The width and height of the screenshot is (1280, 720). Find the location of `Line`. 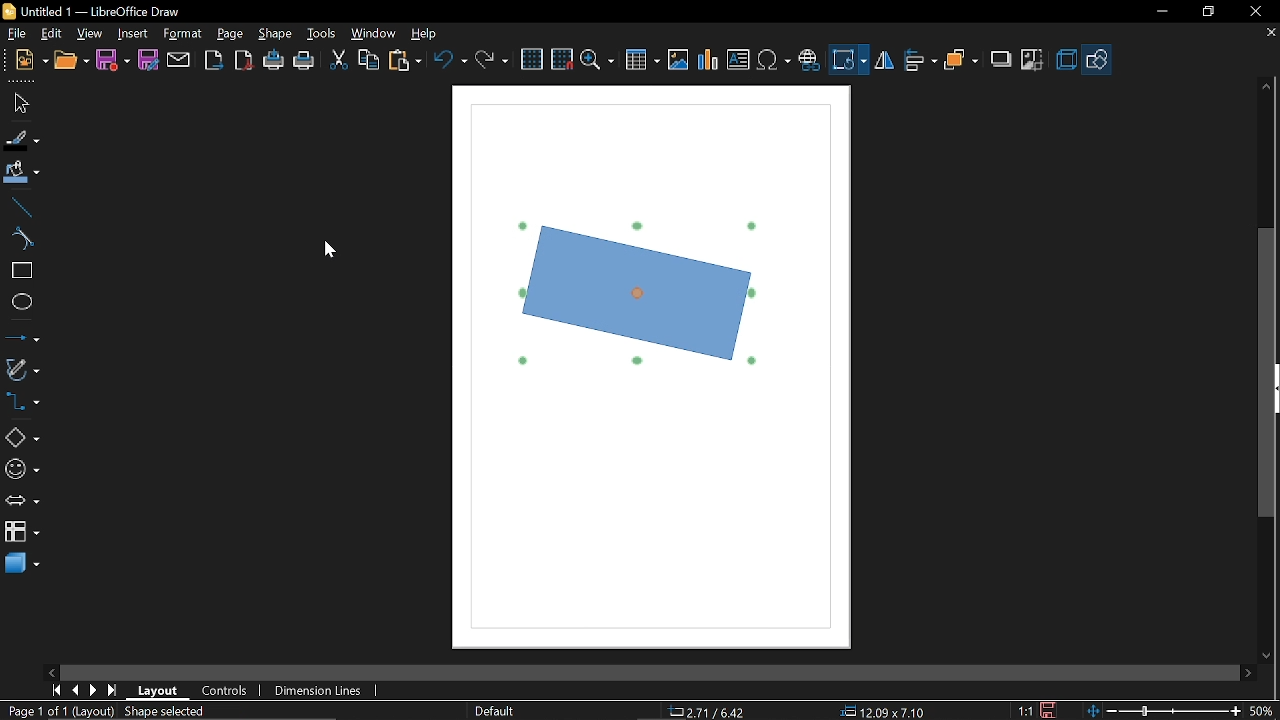

Line is located at coordinates (20, 207).